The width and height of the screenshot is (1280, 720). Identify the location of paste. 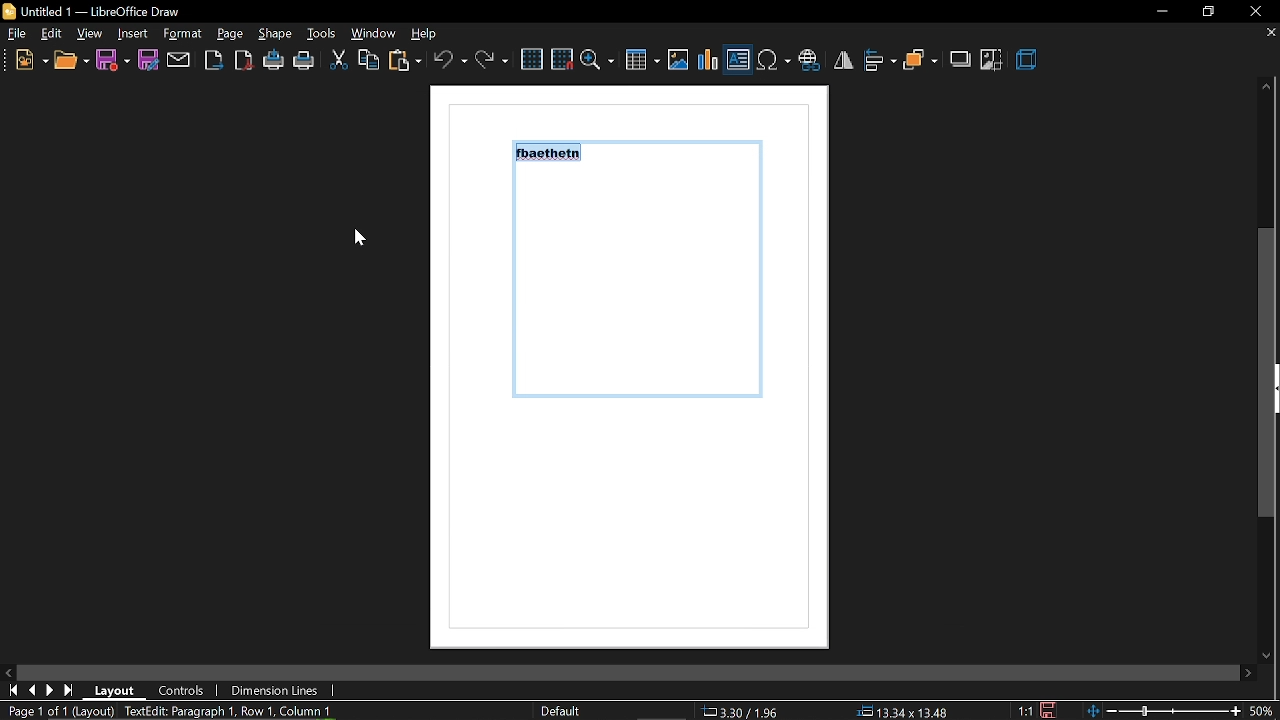
(404, 62).